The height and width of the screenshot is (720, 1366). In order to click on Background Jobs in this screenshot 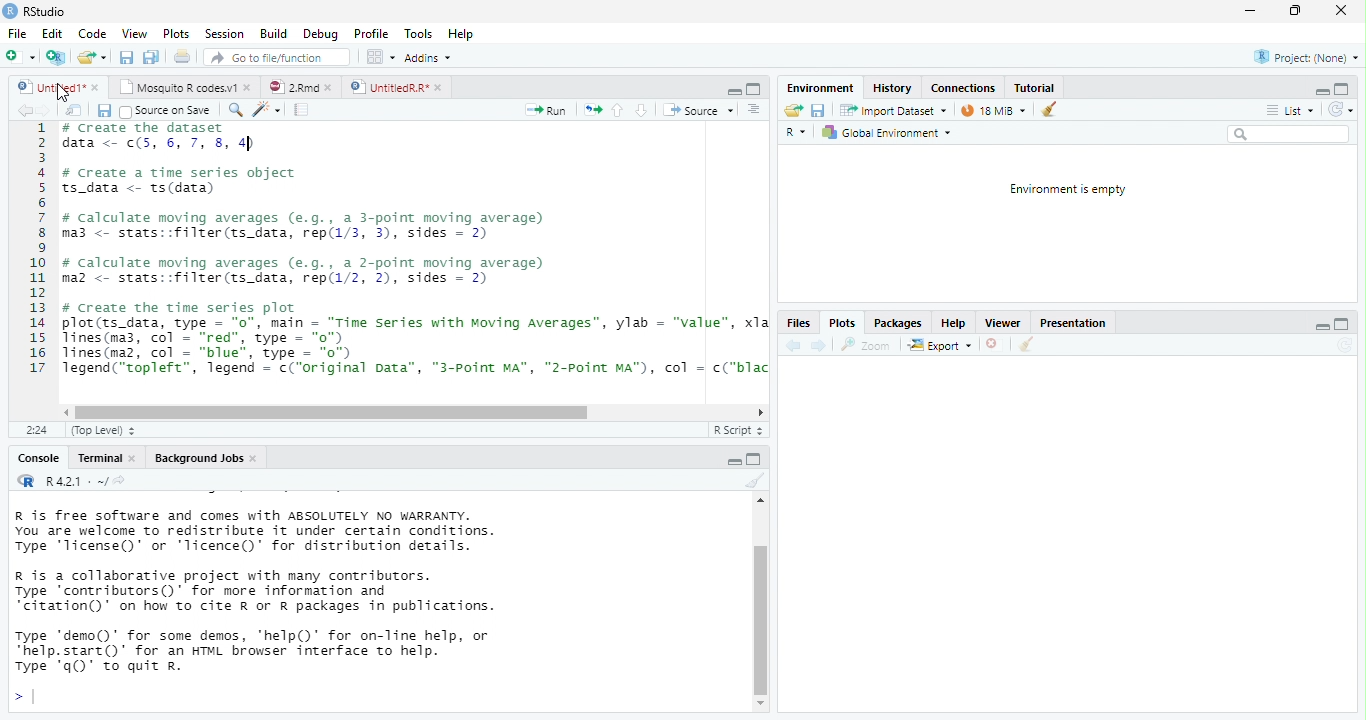, I will do `click(197, 458)`.